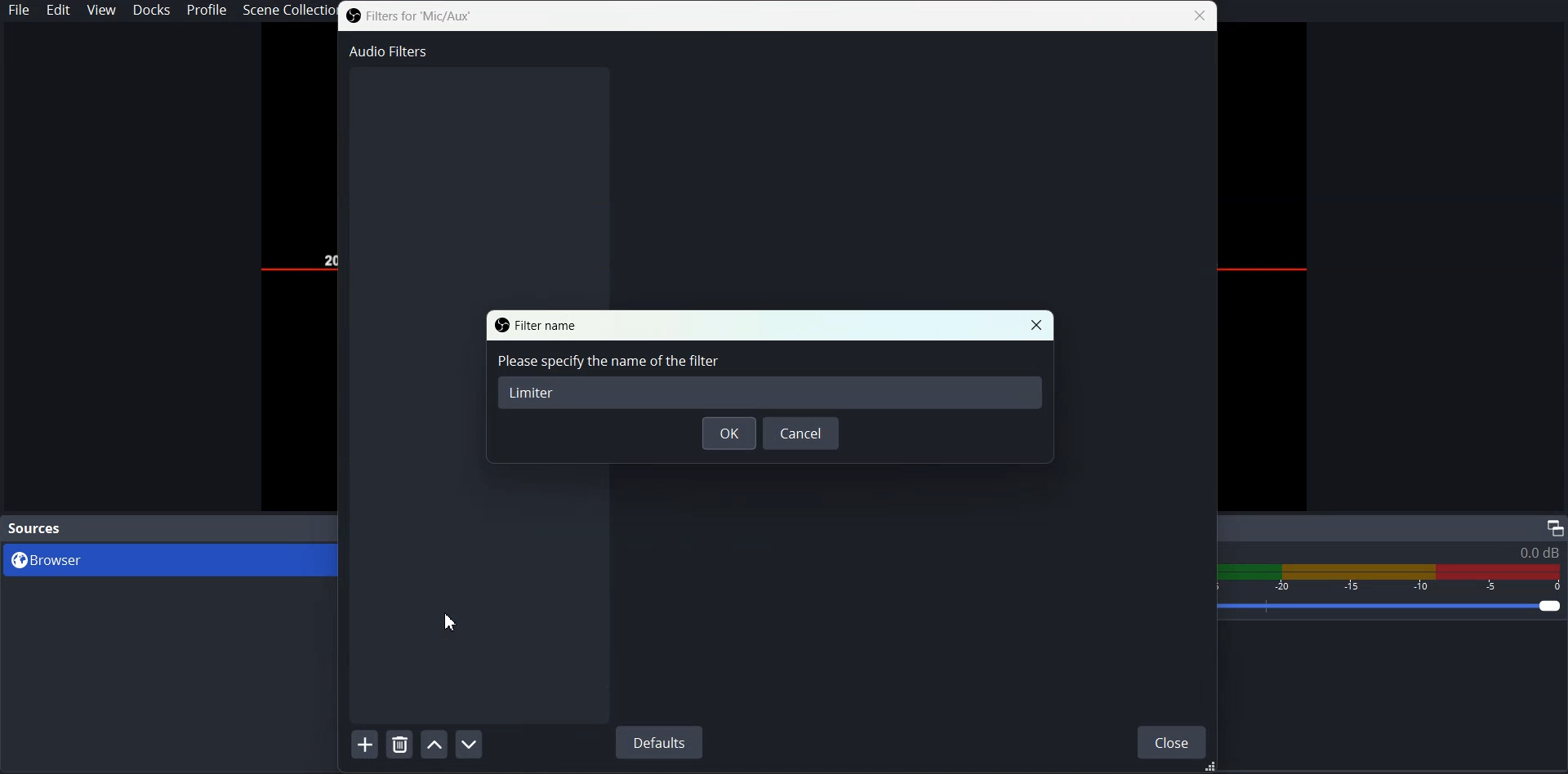 The image size is (1568, 774). I want to click on Source , so click(37, 527).